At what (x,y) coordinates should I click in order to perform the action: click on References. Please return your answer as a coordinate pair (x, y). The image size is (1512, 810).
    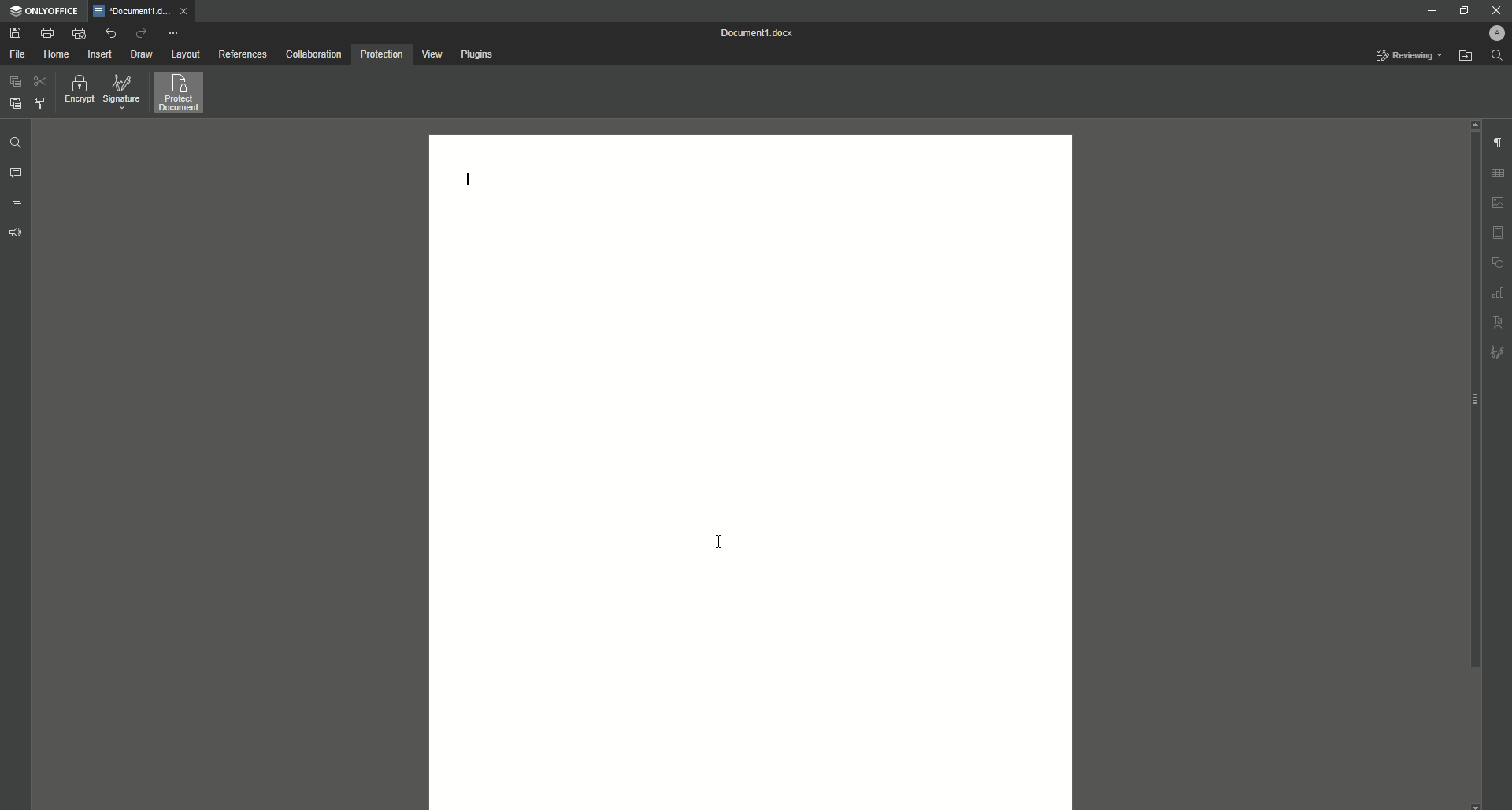
    Looking at the image, I should click on (242, 54).